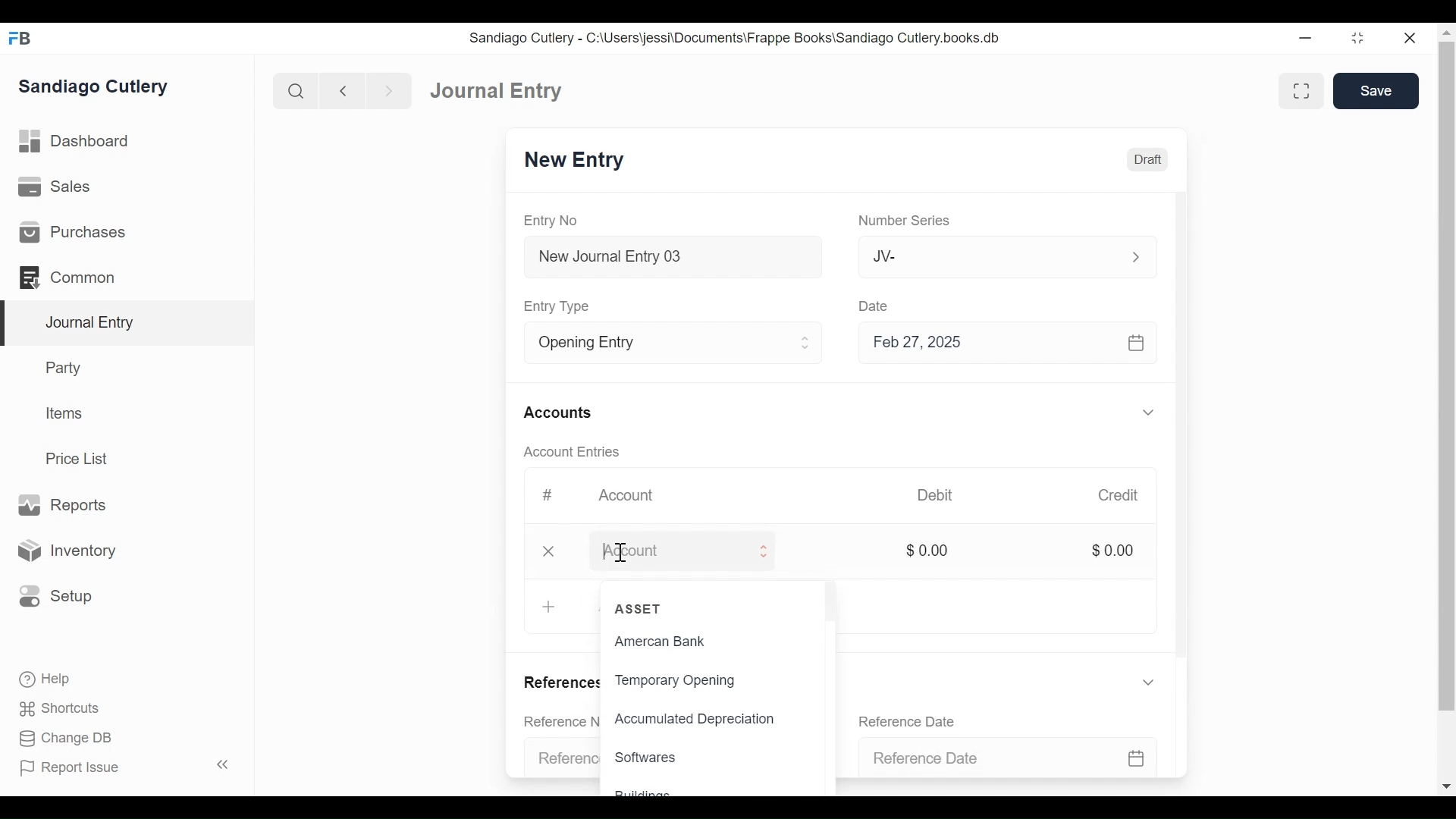  What do you see at coordinates (675, 257) in the screenshot?
I see `New Journal Entry 03` at bounding box center [675, 257].